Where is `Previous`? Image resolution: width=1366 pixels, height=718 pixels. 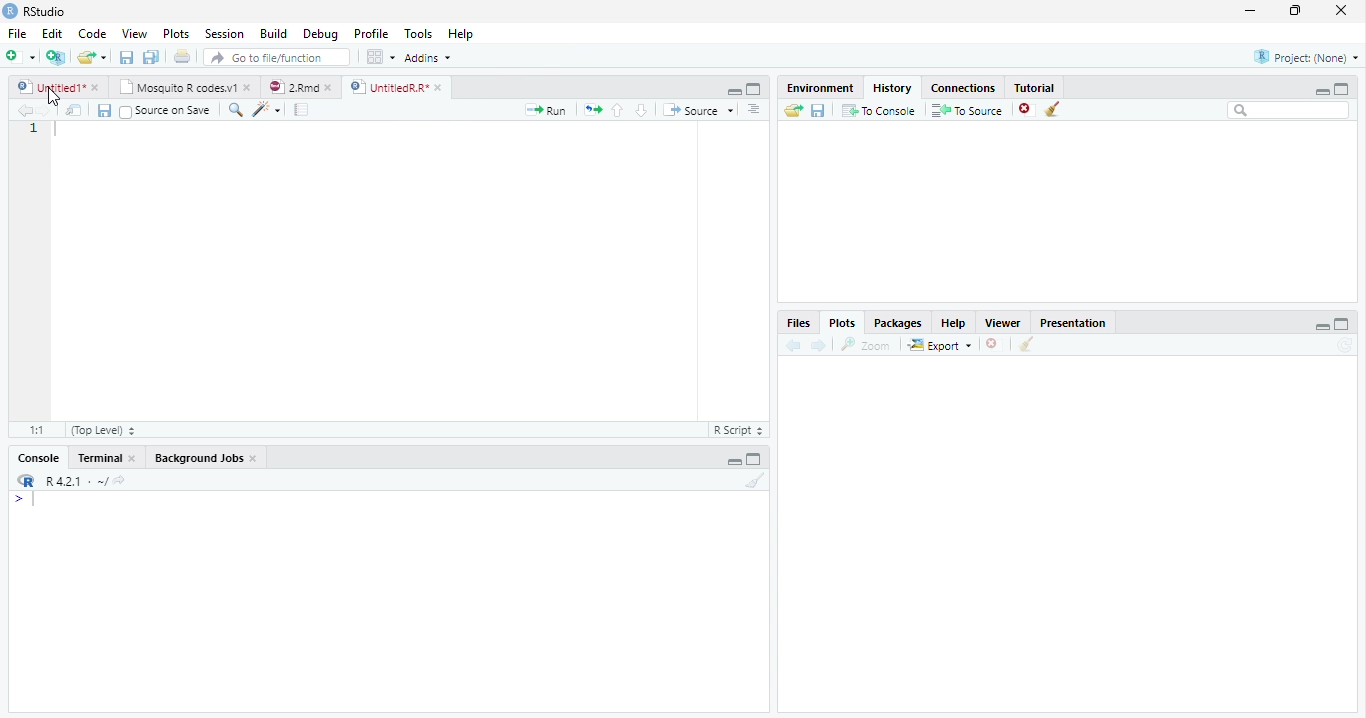
Previous is located at coordinates (793, 345).